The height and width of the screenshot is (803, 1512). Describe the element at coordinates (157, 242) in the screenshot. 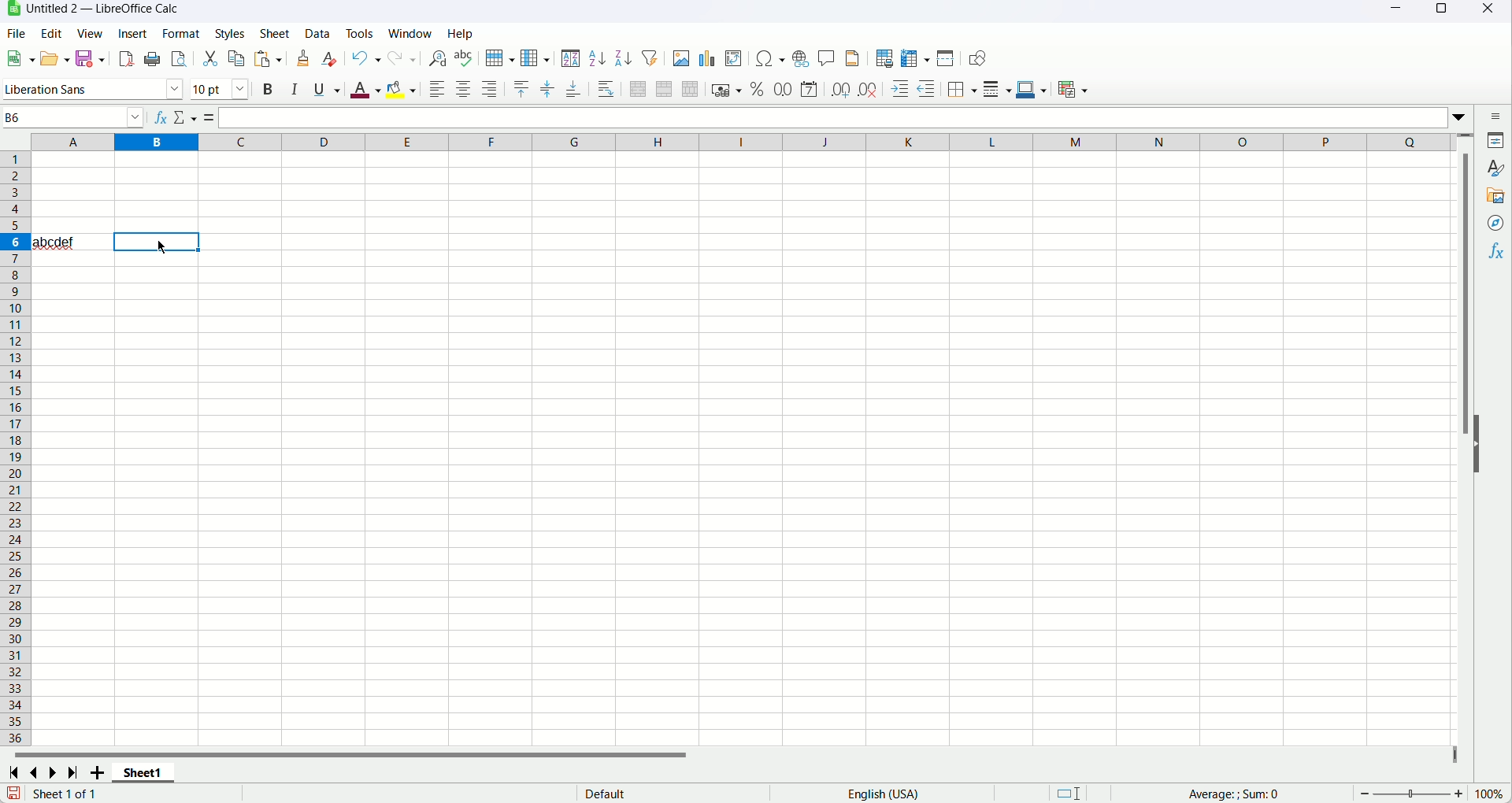

I see `selected cell` at that location.